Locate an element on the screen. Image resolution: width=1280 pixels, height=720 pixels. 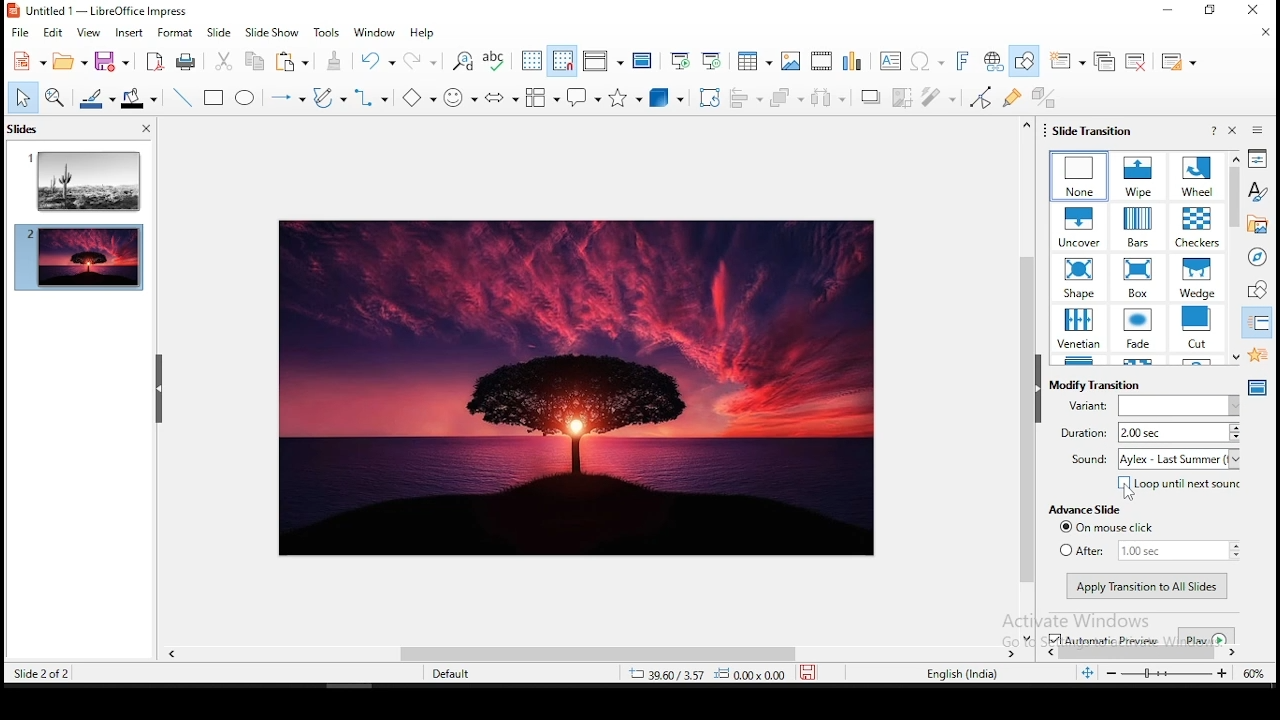
hyperlink is located at coordinates (995, 61).